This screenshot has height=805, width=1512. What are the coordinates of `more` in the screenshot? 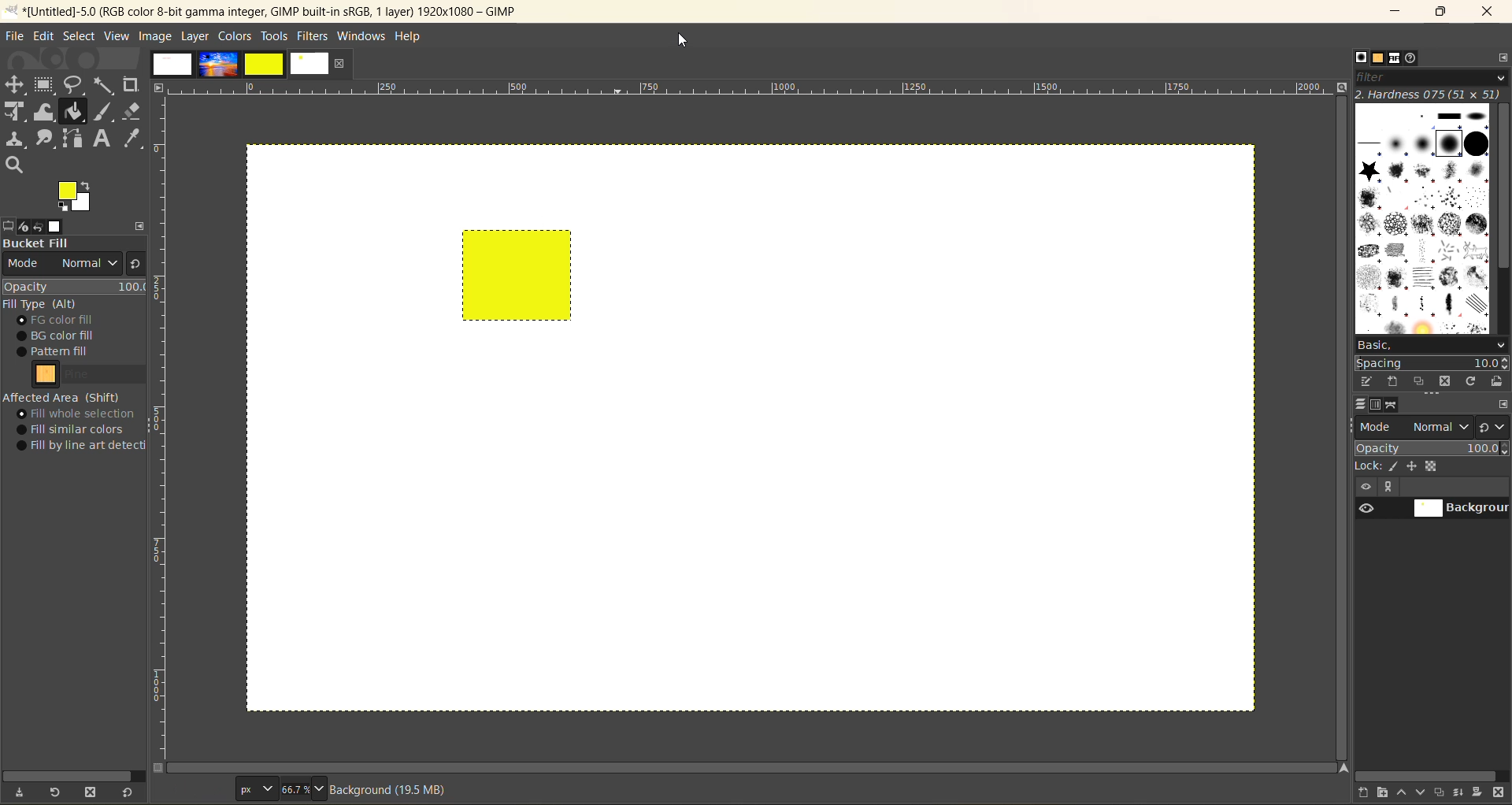 It's located at (1393, 488).